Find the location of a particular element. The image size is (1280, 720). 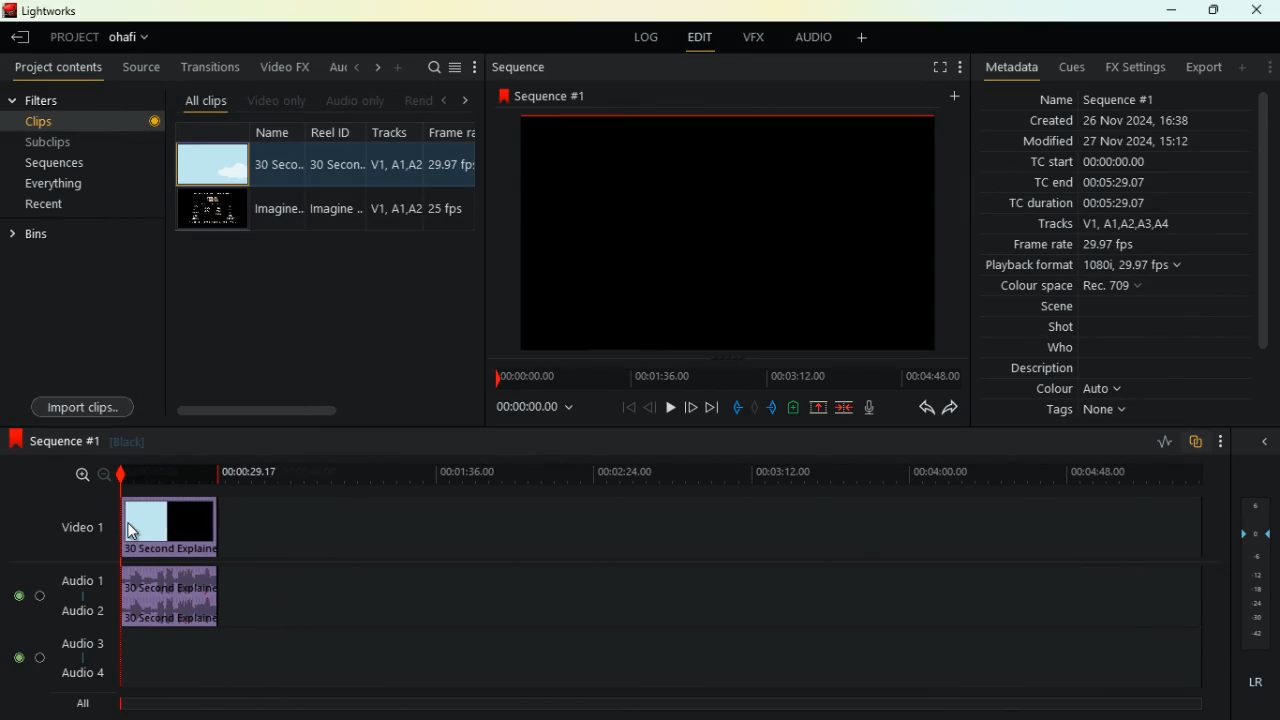

left is located at coordinates (357, 70).